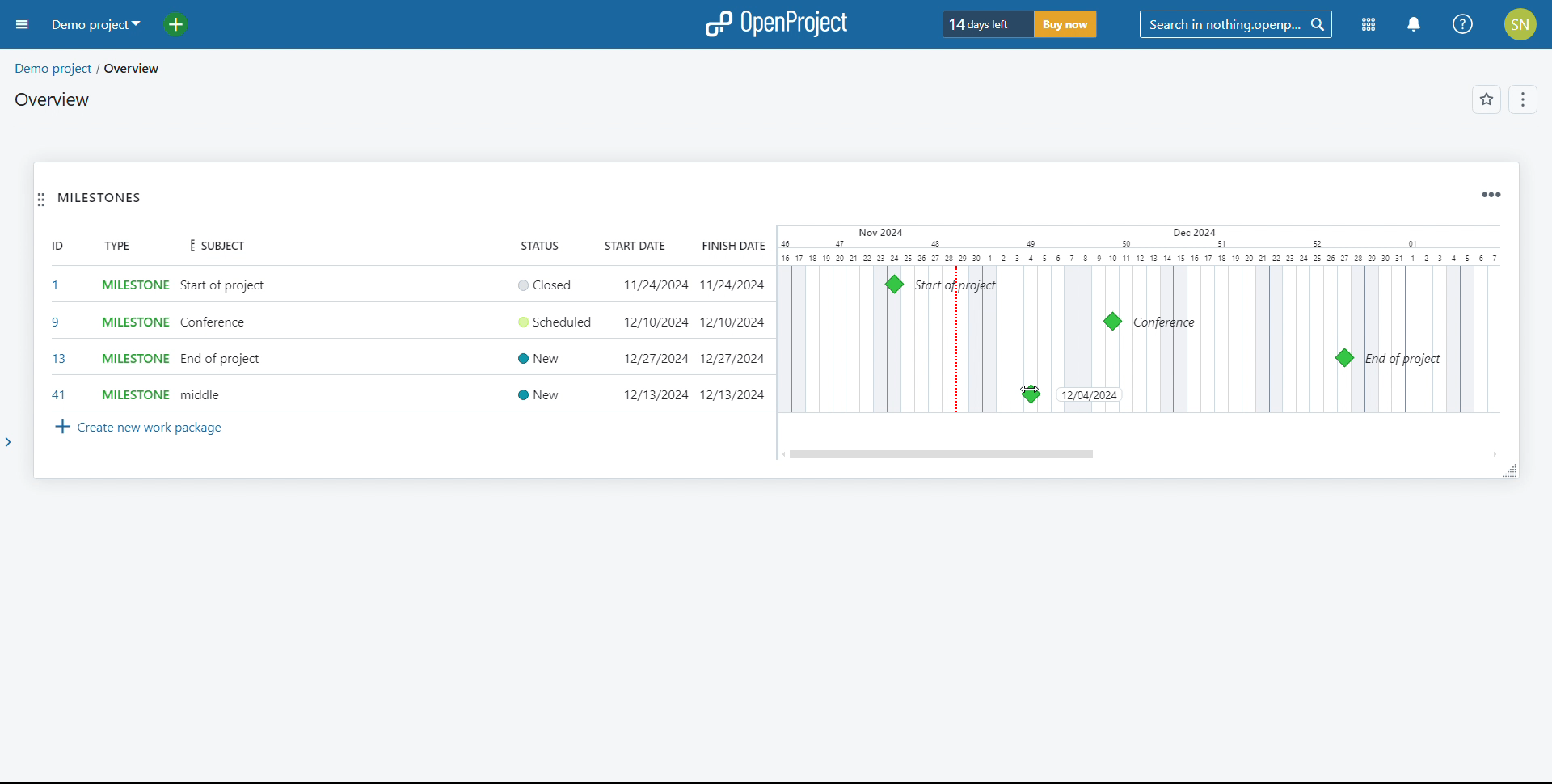  Describe the element at coordinates (540, 244) in the screenshot. I see `status` at that location.